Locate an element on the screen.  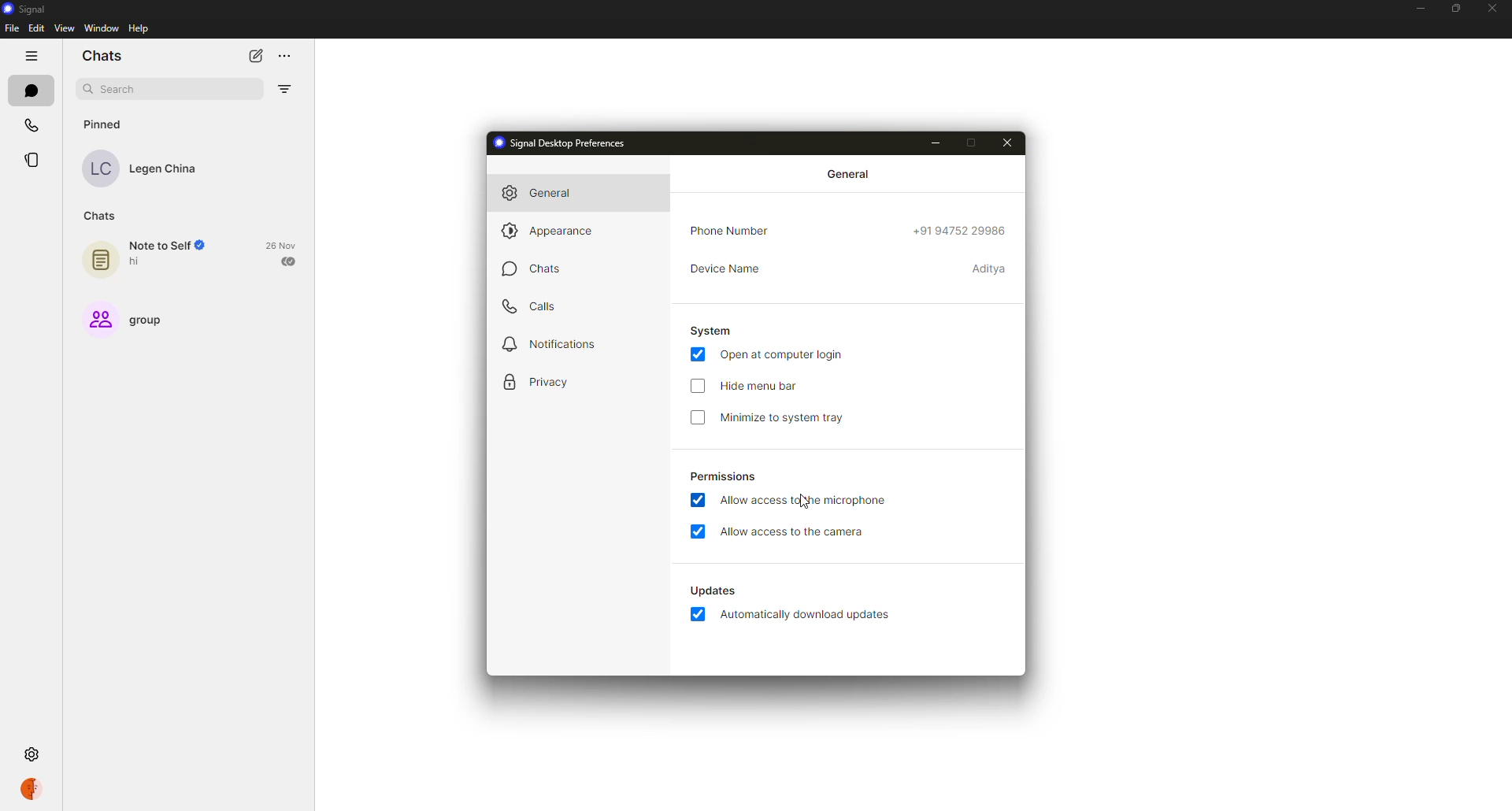
appearance is located at coordinates (550, 233).